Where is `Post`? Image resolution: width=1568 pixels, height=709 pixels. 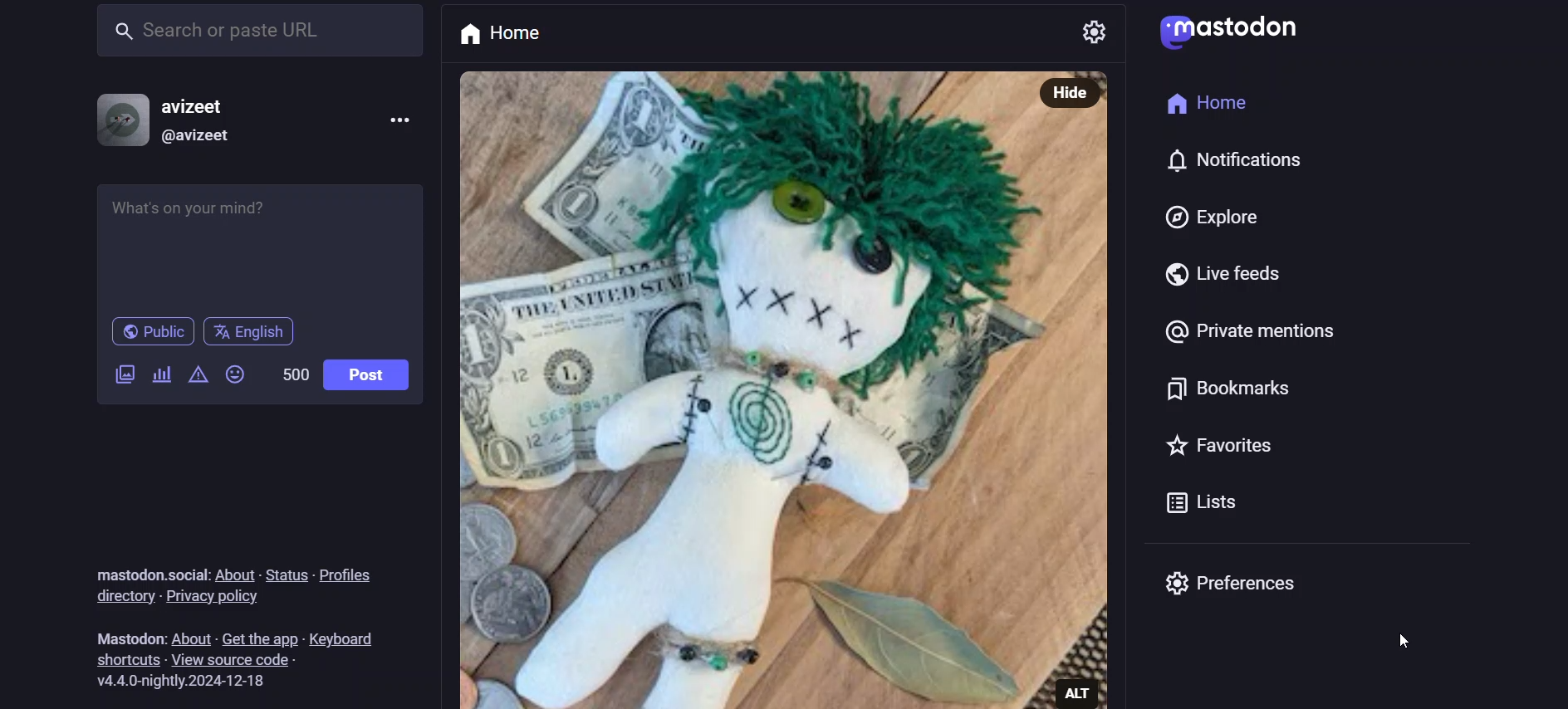
Post is located at coordinates (366, 376).